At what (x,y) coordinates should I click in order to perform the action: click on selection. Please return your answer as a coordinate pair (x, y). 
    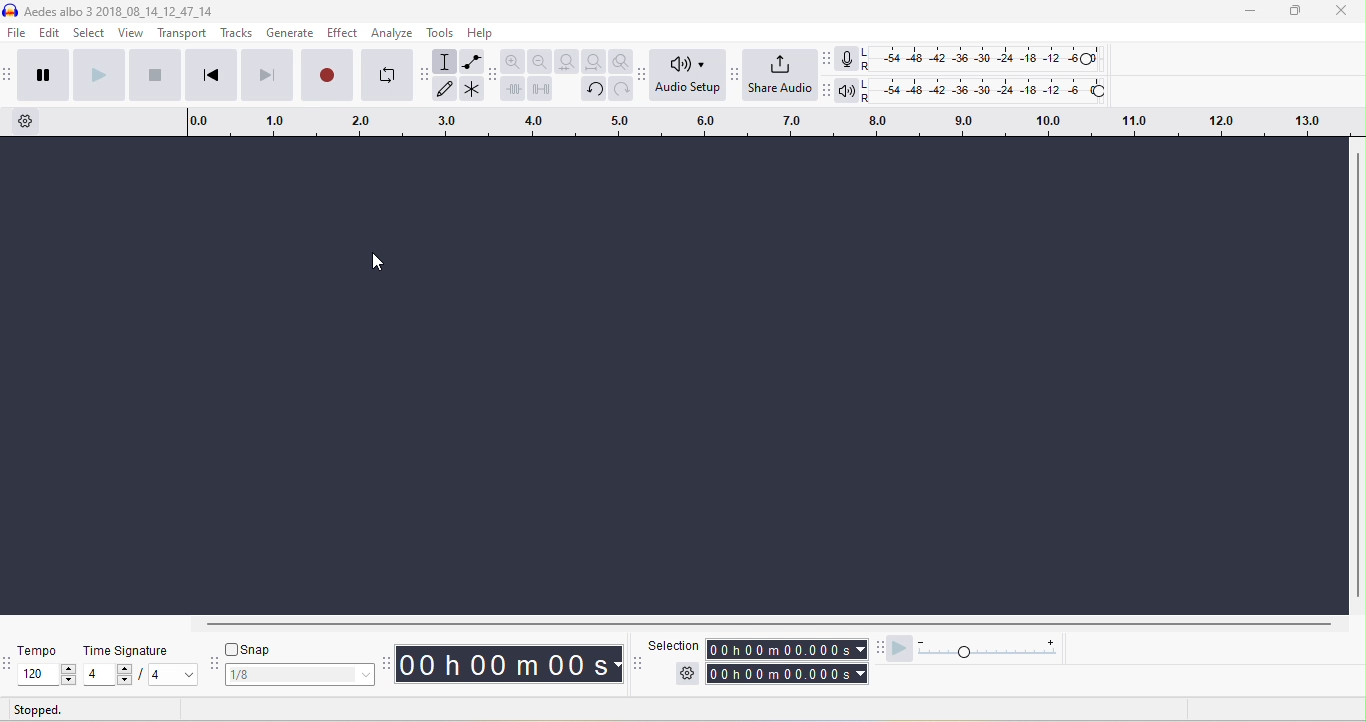
    Looking at the image, I should click on (673, 646).